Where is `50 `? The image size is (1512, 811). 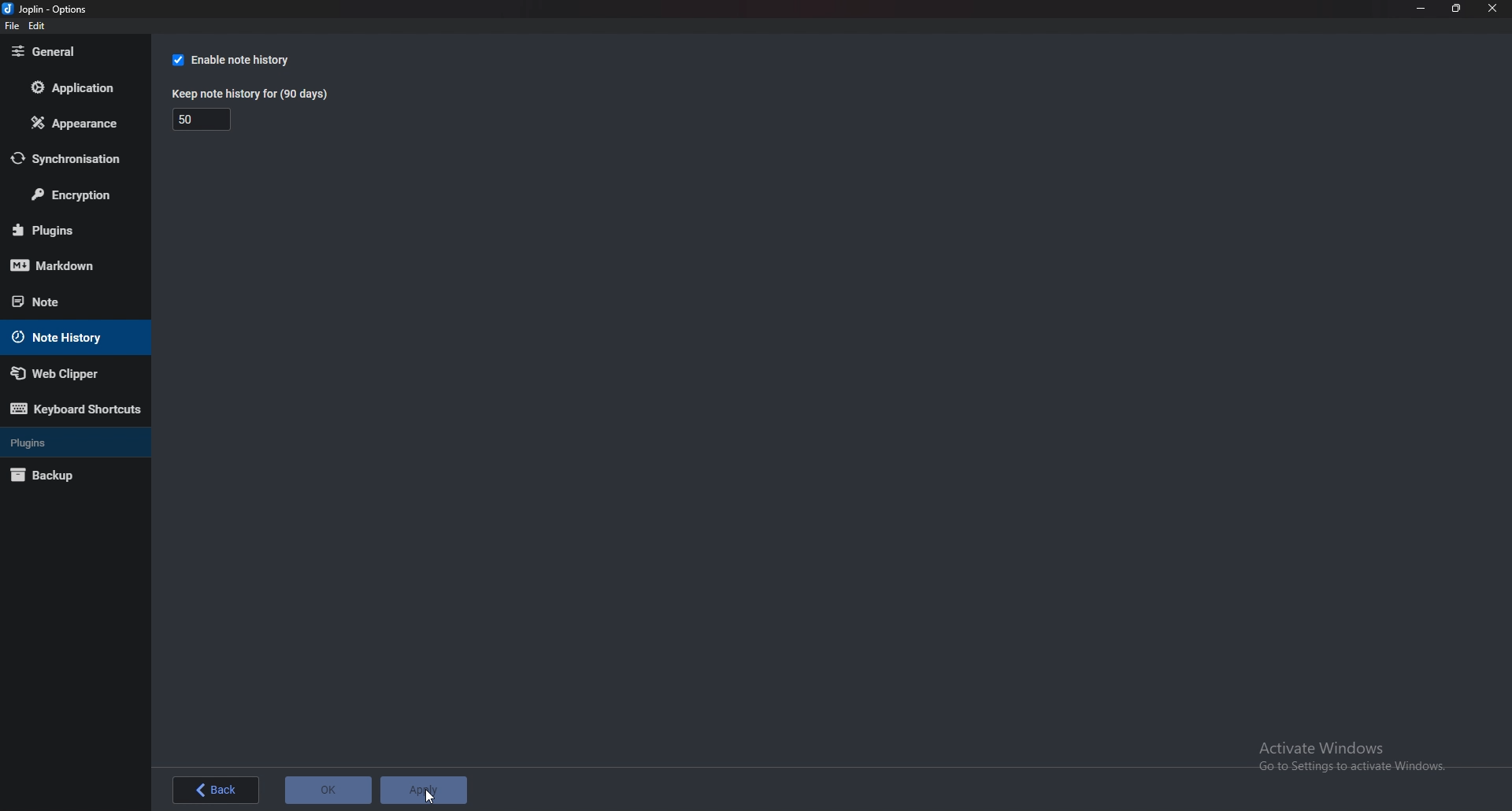
50  is located at coordinates (203, 120).